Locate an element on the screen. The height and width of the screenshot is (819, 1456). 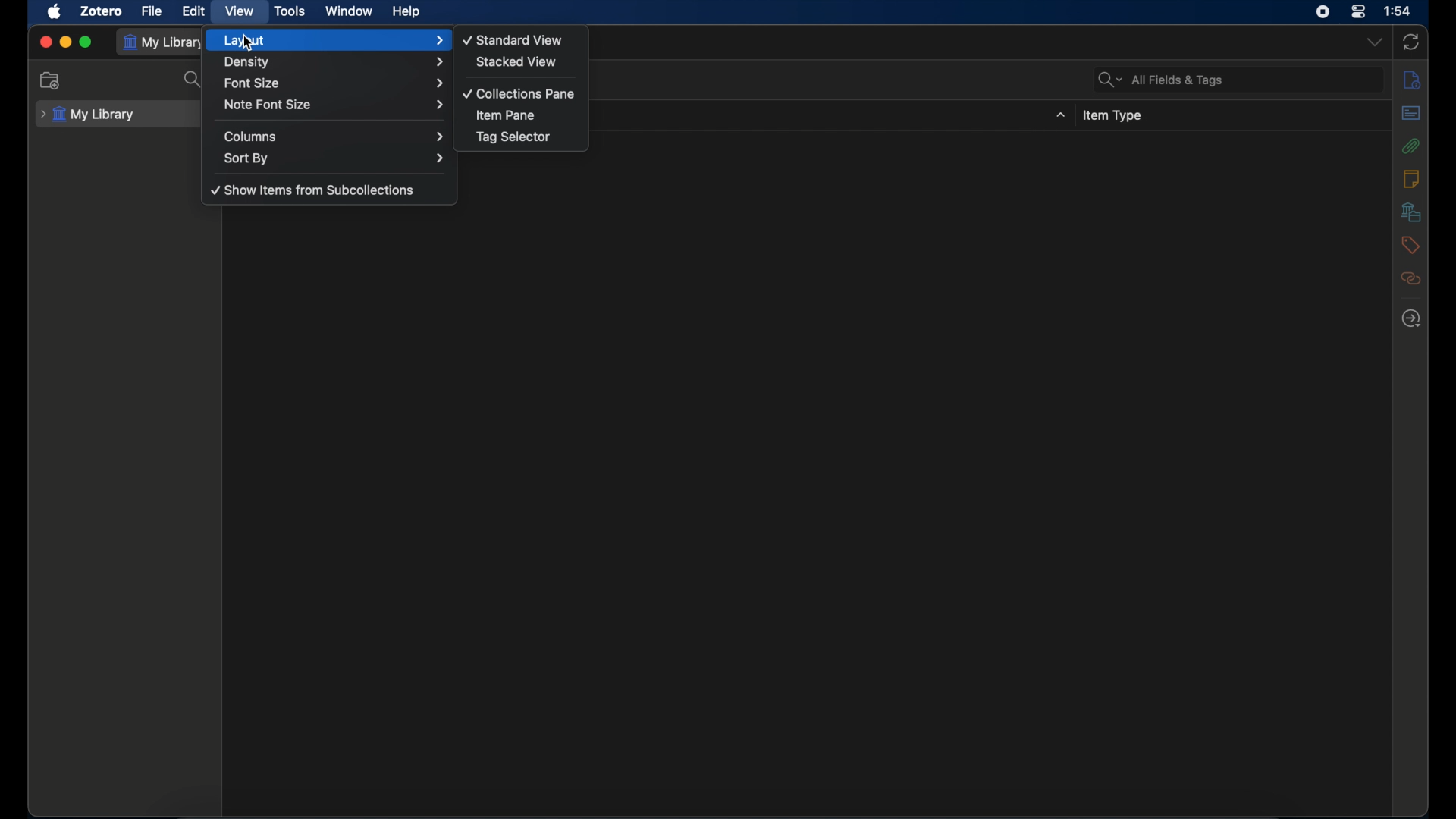
density is located at coordinates (335, 62).